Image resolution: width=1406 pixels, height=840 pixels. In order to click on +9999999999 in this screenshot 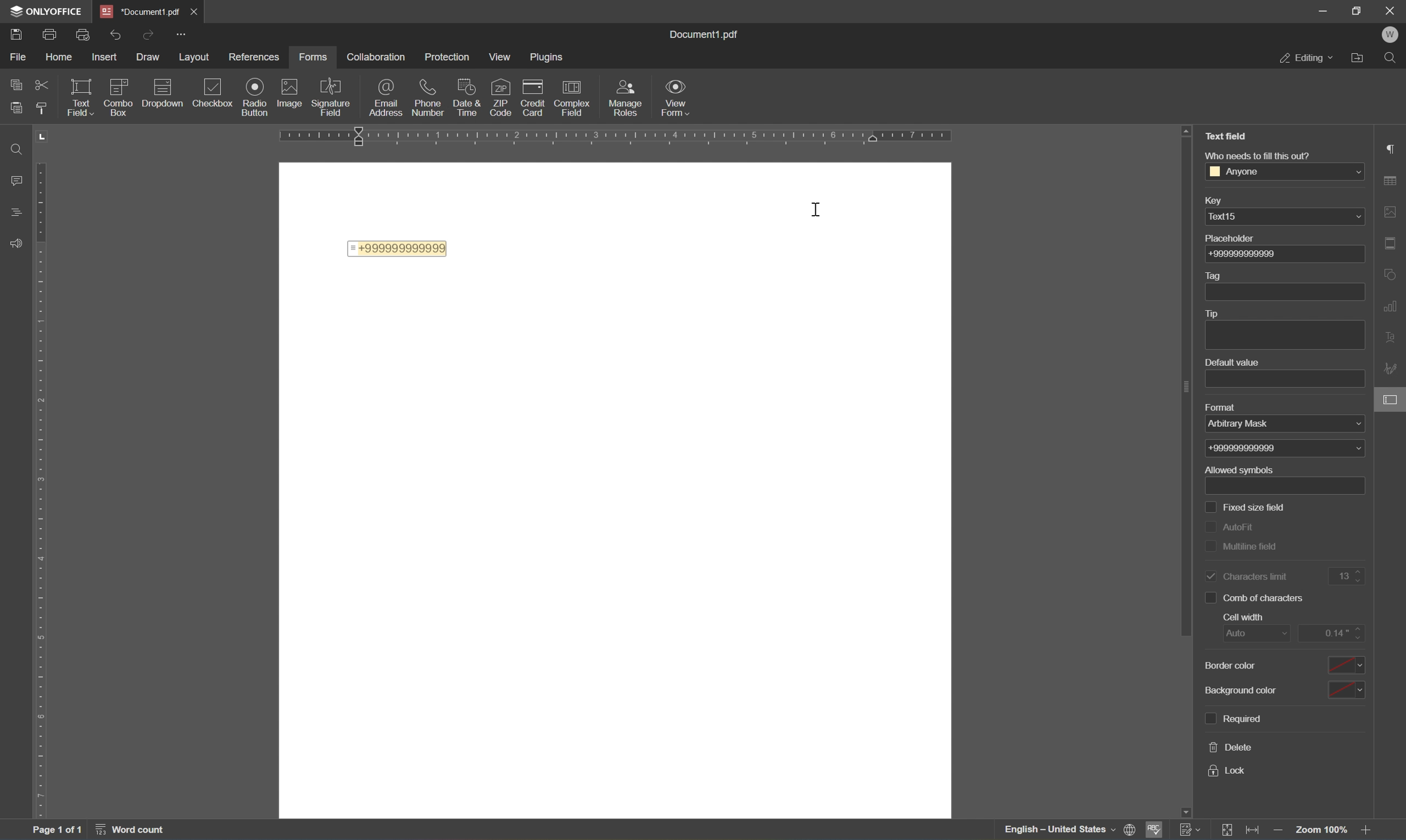, I will do `click(1245, 448)`.